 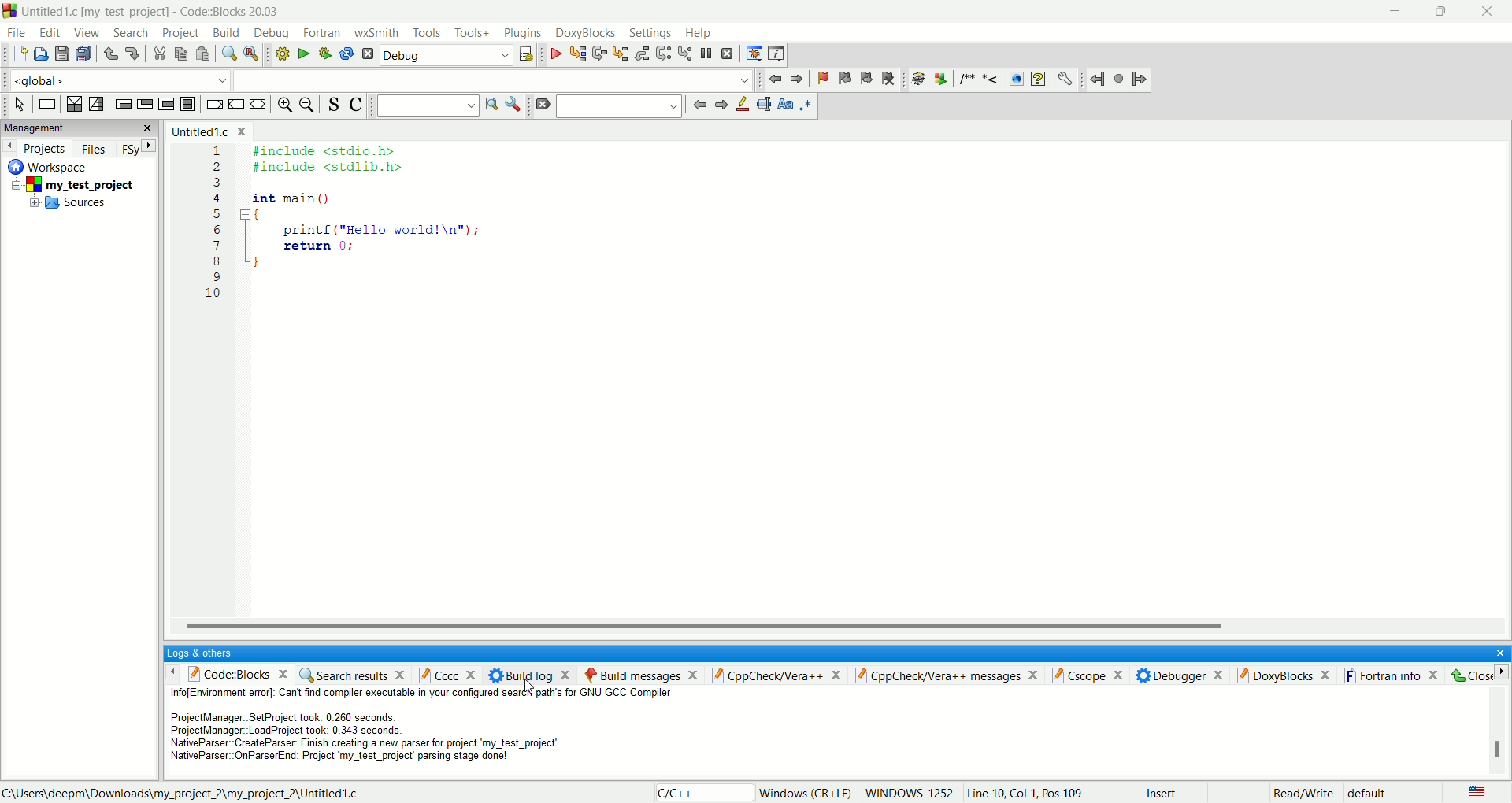 What do you see at coordinates (621, 105) in the screenshot?
I see `blank space` at bounding box center [621, 105].